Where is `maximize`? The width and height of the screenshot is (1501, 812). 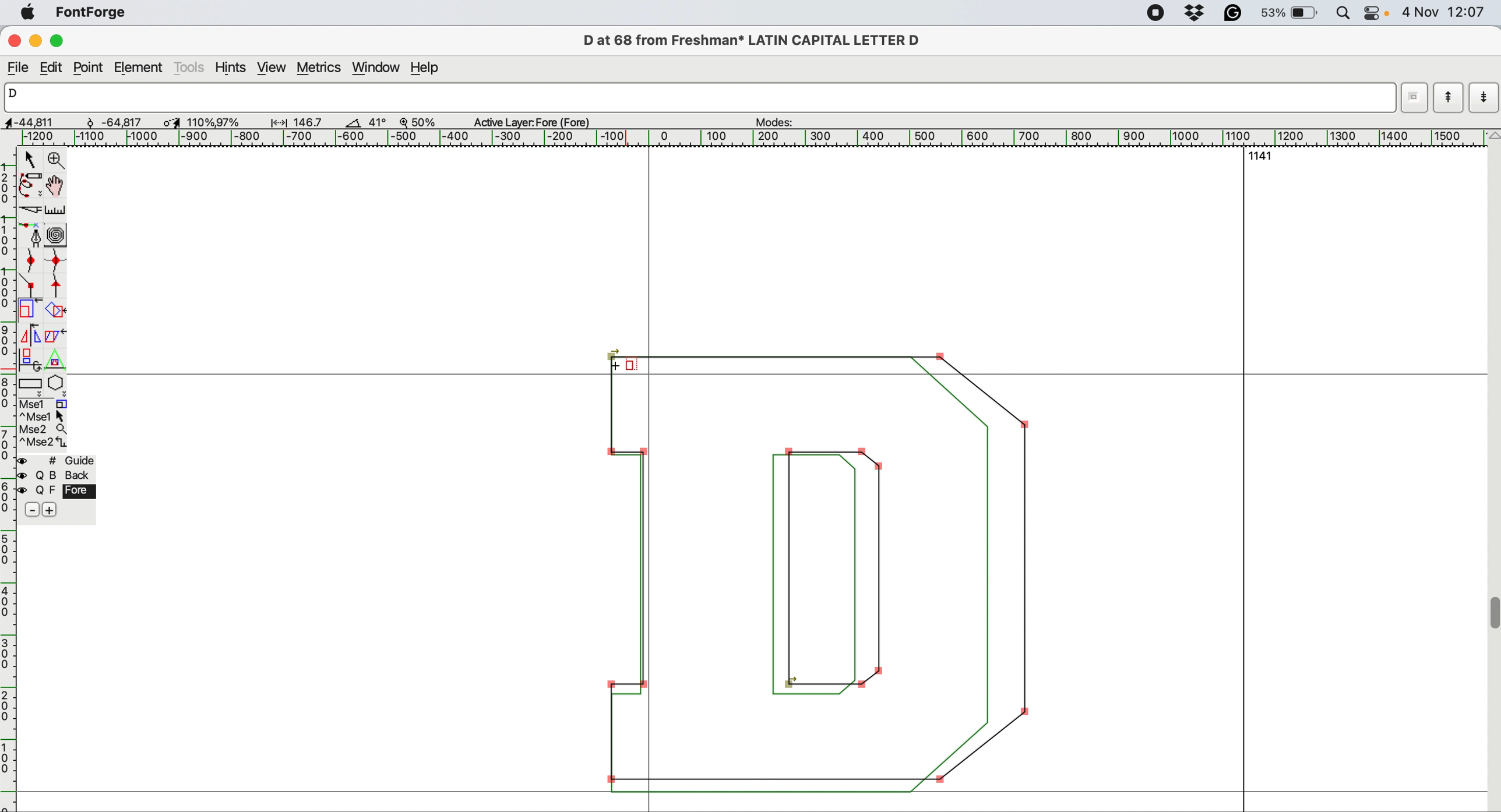 maximize is located at coordinates (61, 41).